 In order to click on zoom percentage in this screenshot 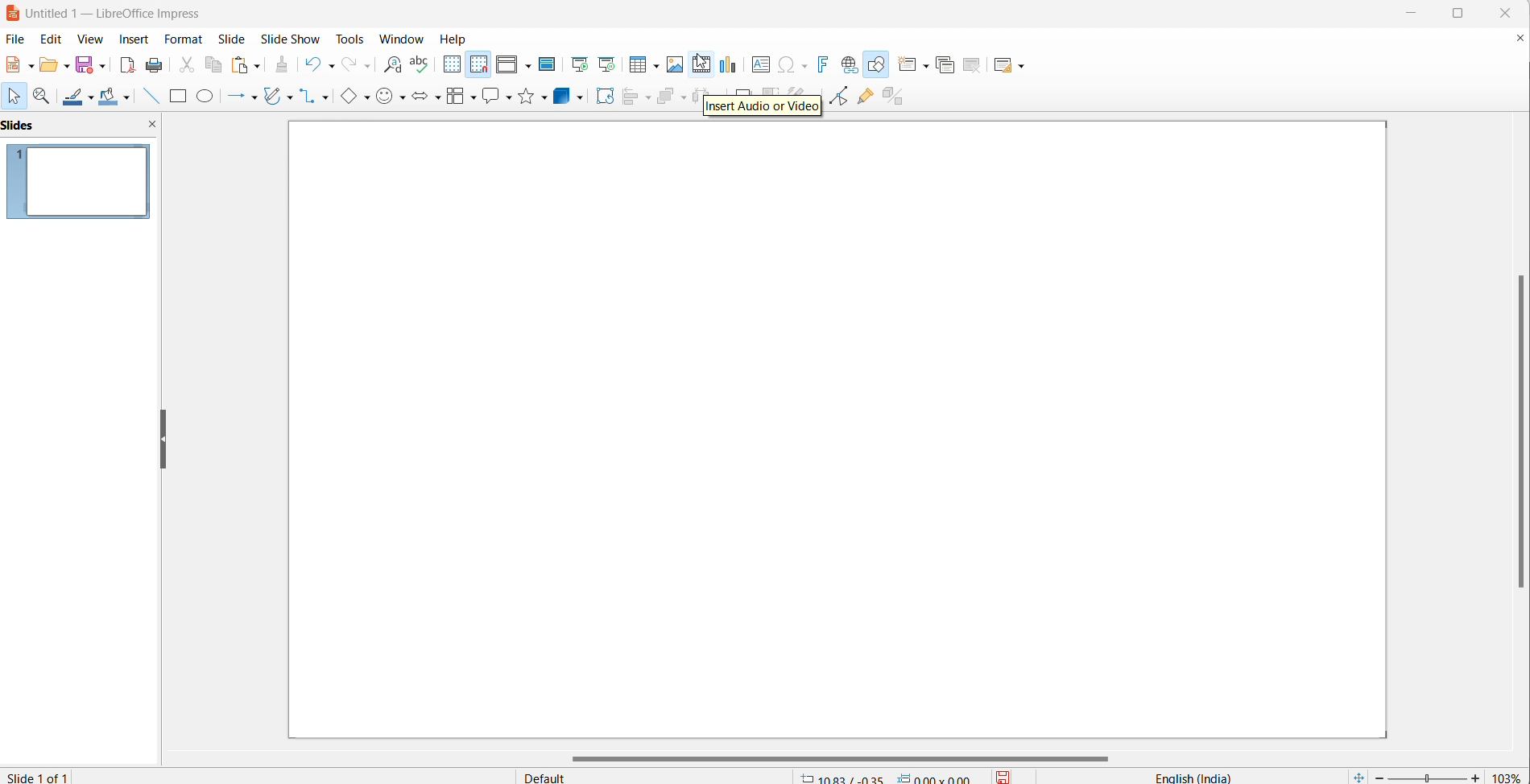, I will do `click(1508, 774)`.